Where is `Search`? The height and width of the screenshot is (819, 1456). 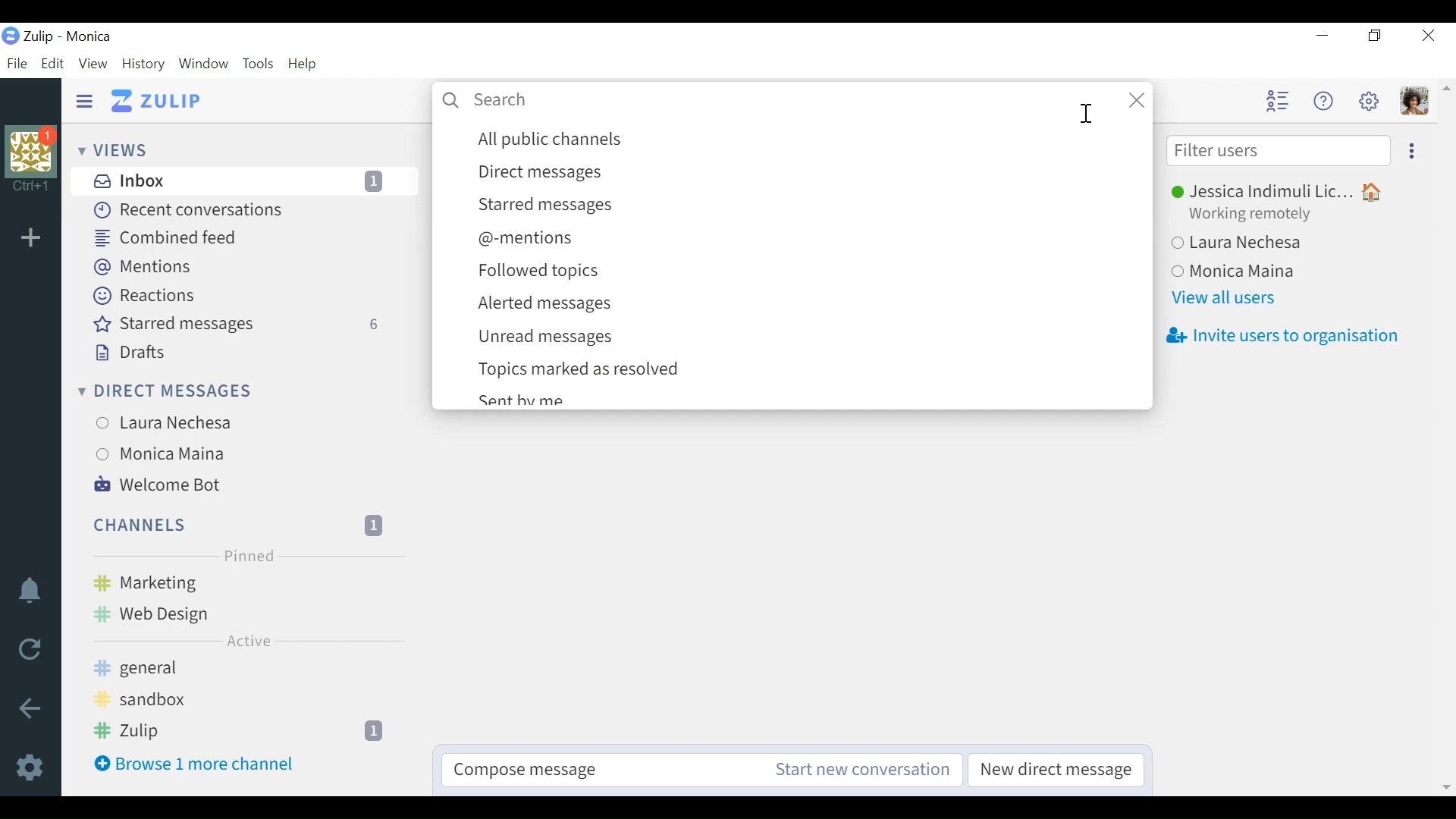
Search is located at coordinates (794, 100).